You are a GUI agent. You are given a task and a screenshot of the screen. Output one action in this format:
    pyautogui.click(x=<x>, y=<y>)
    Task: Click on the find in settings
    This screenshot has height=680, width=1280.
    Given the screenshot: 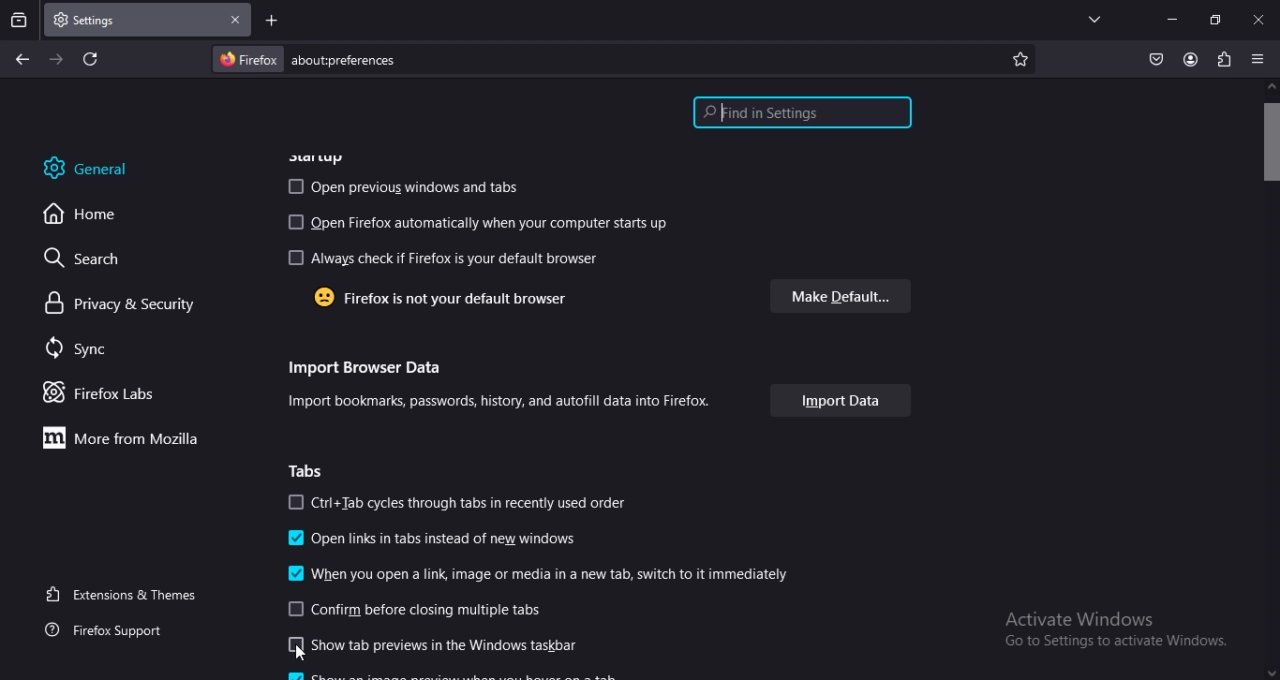 What is the action you would take?
    pyautogui.click(x=798, y=112)
    